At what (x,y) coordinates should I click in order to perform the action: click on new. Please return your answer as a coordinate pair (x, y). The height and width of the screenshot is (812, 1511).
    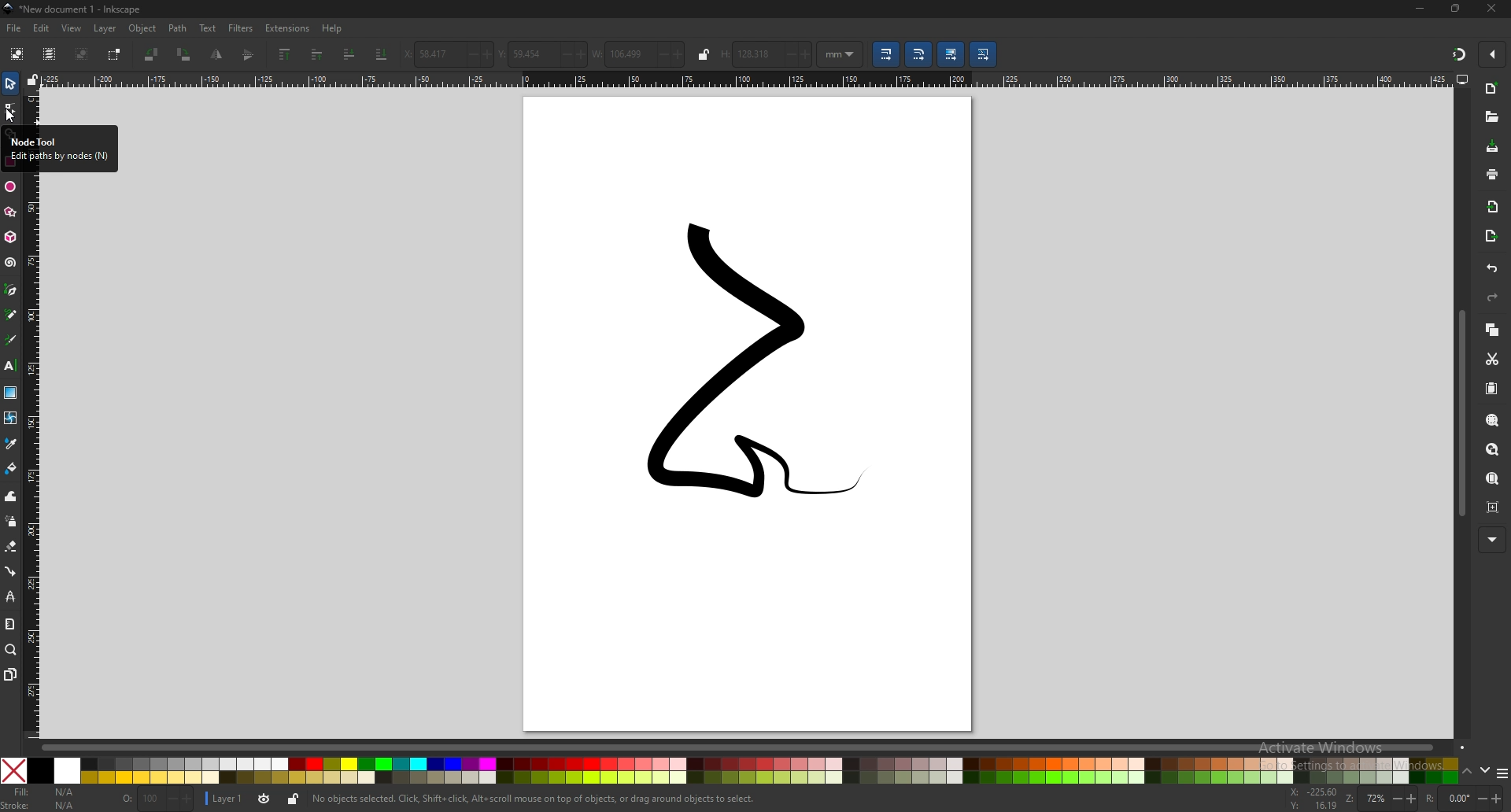
    Looking at the image, I should click on (1492, 90).